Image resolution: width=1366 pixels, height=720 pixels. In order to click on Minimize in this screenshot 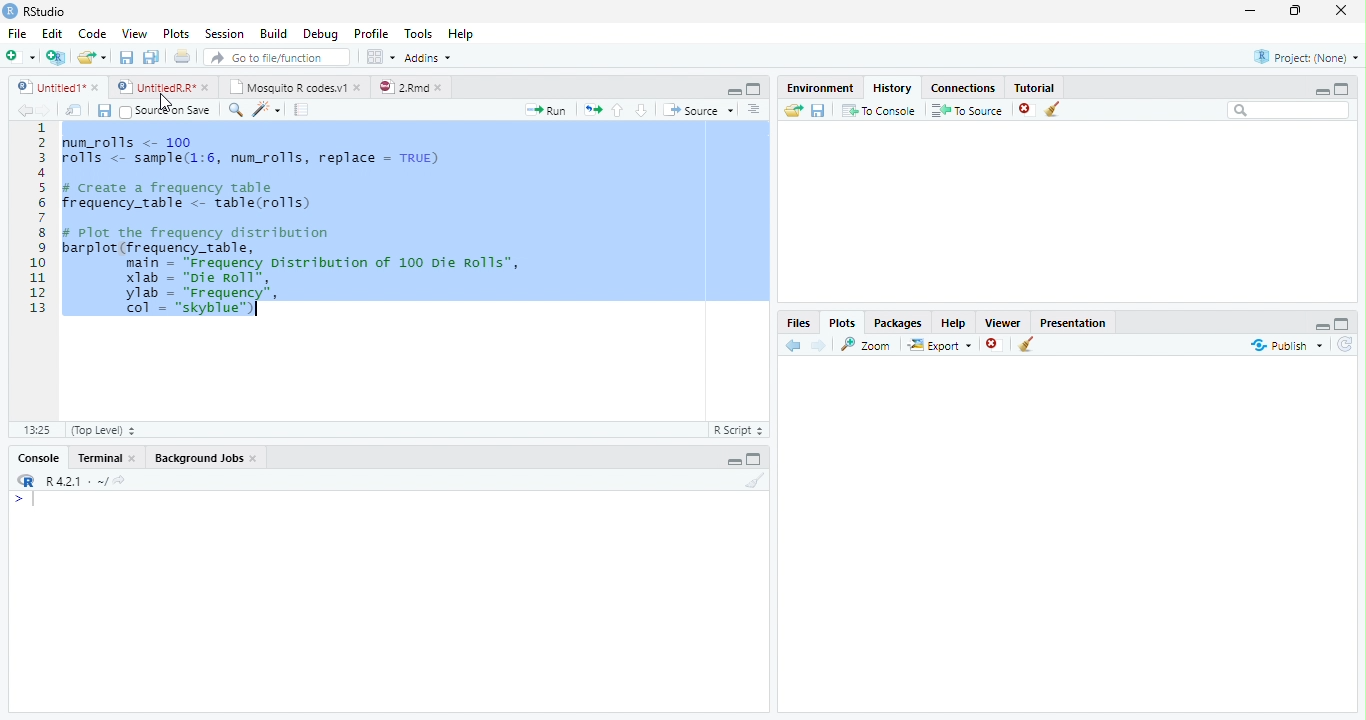, I will do `click(1251, 11)`.